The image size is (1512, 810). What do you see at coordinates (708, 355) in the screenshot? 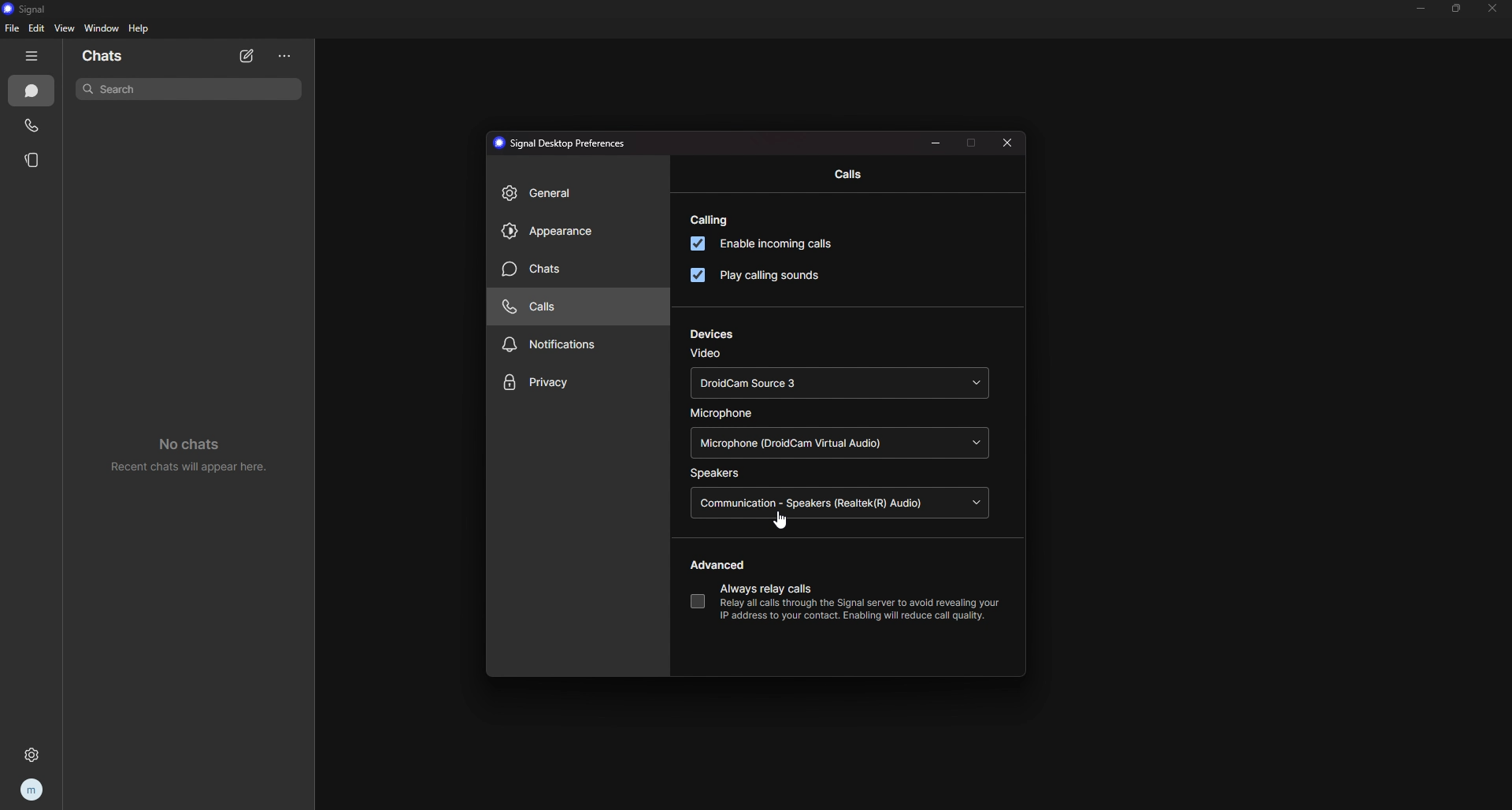
I see `video` at bounding box center [708, 355].